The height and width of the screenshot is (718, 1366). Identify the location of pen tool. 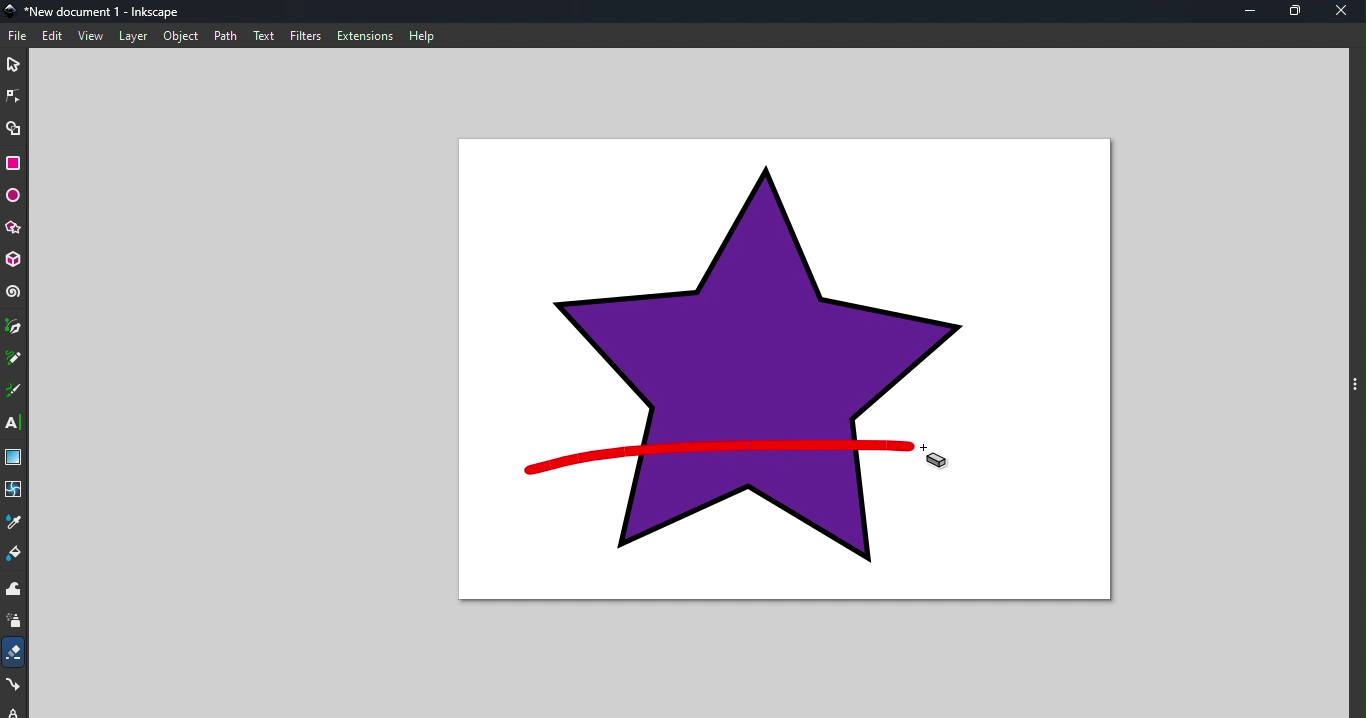
(14, 327).